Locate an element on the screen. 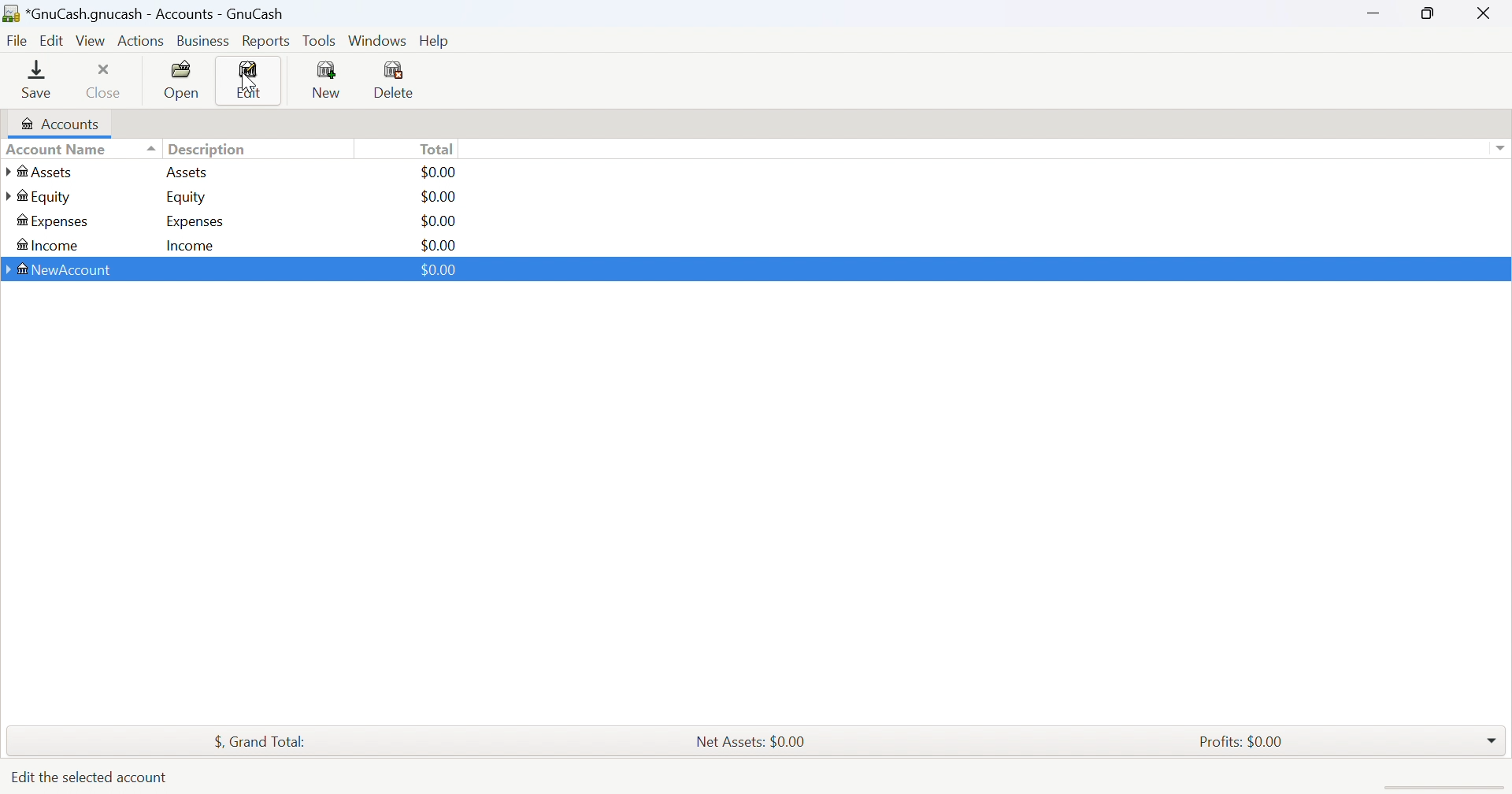  Assets is located at coordinates (187, 172).